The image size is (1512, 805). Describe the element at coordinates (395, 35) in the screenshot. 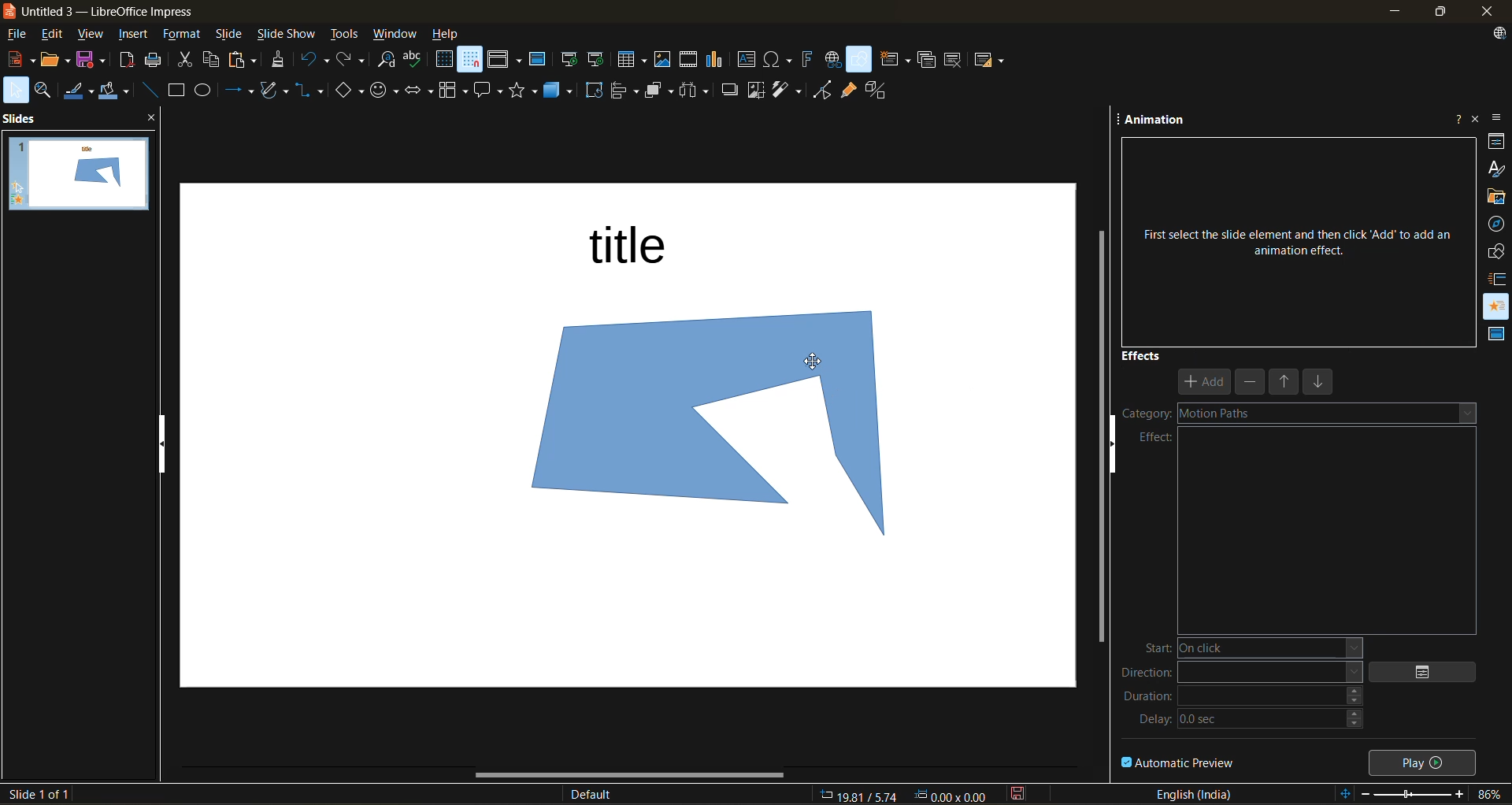

I see `window` at that location.